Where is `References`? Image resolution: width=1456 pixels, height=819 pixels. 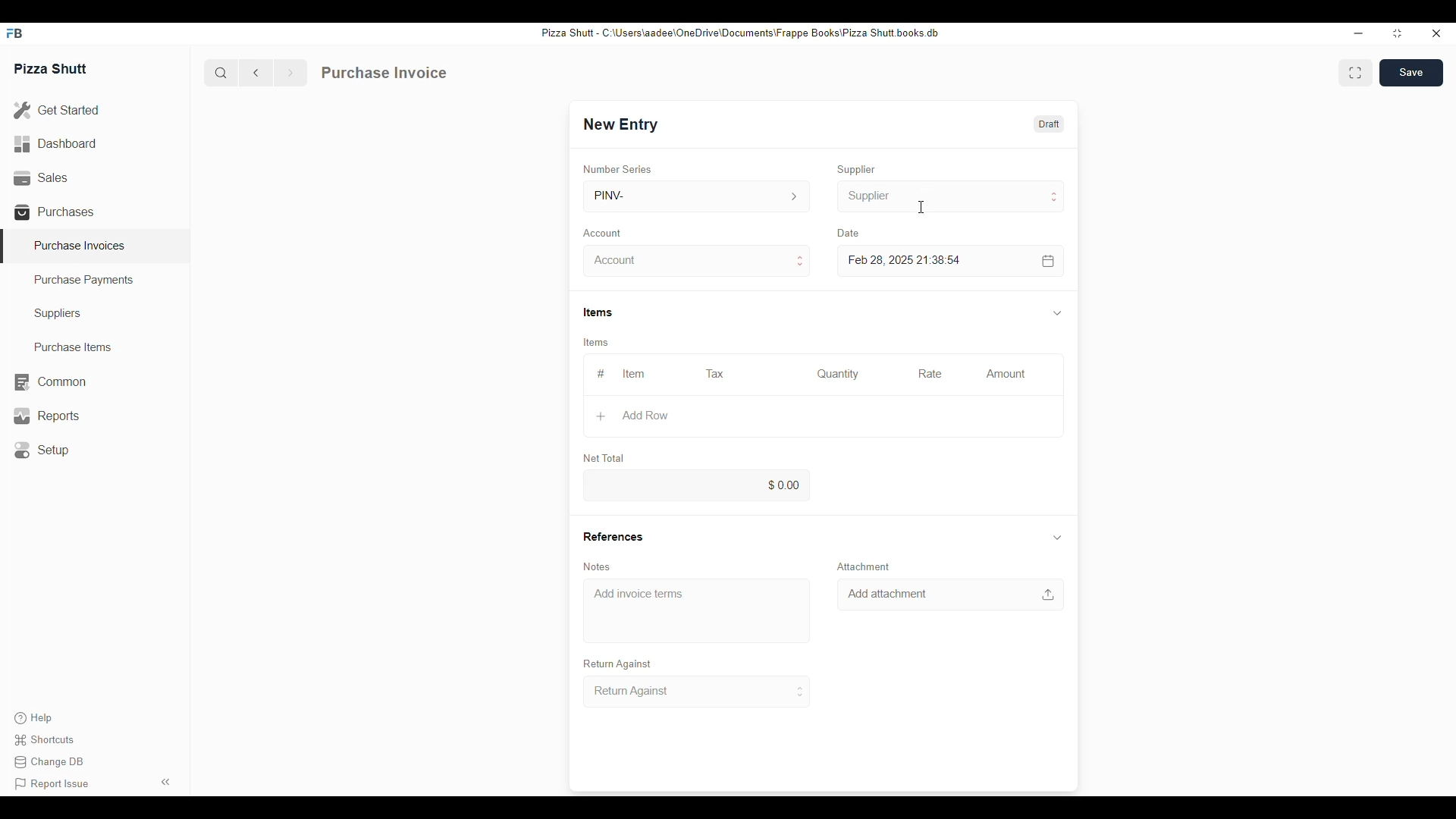 References is located at coordinates (611, 536).